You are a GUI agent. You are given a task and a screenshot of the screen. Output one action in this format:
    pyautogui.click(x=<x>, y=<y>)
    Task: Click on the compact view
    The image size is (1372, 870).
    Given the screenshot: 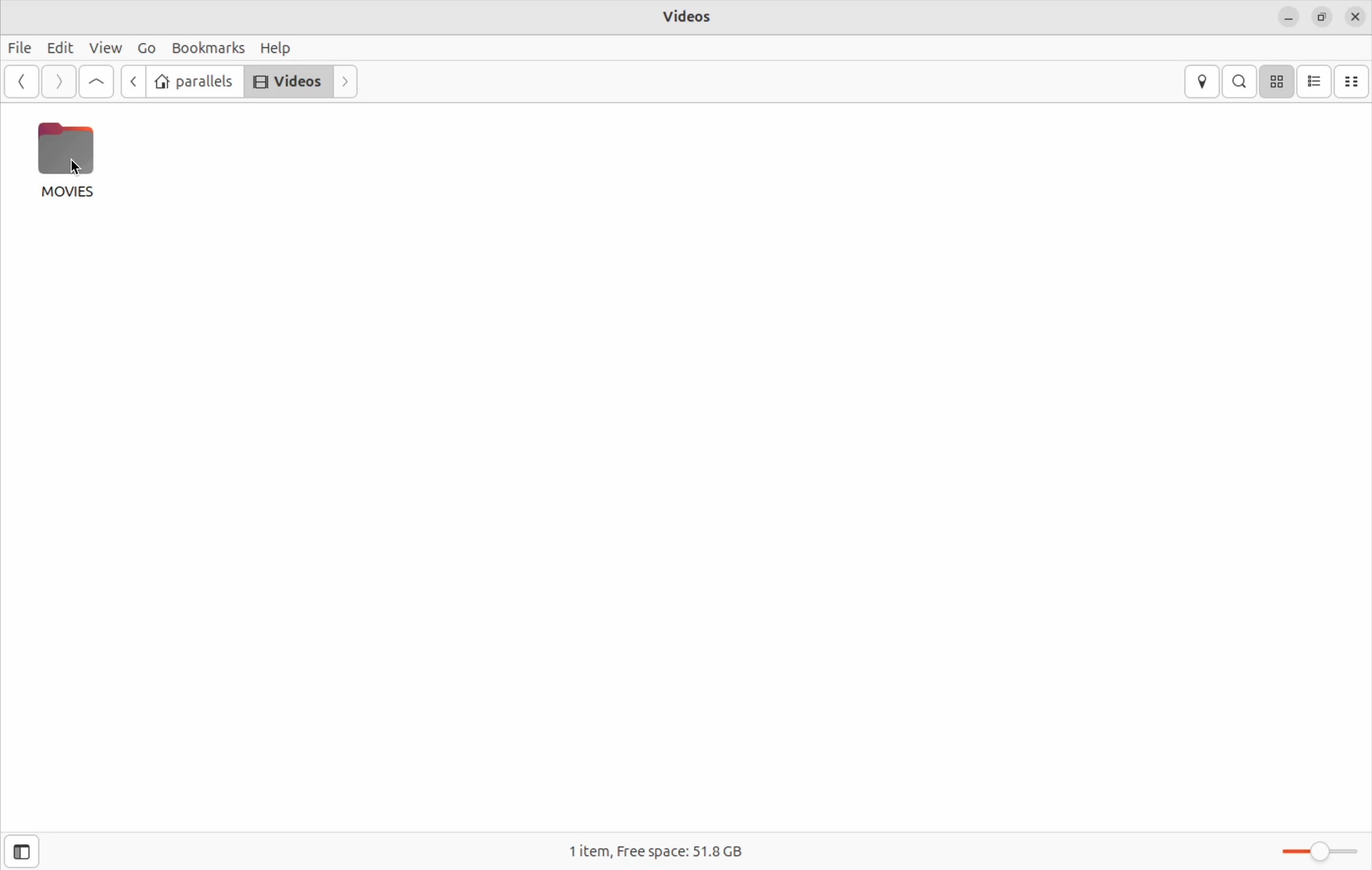 What is the action you would take?
    pyautogui.click(x=1353, y=81)
    